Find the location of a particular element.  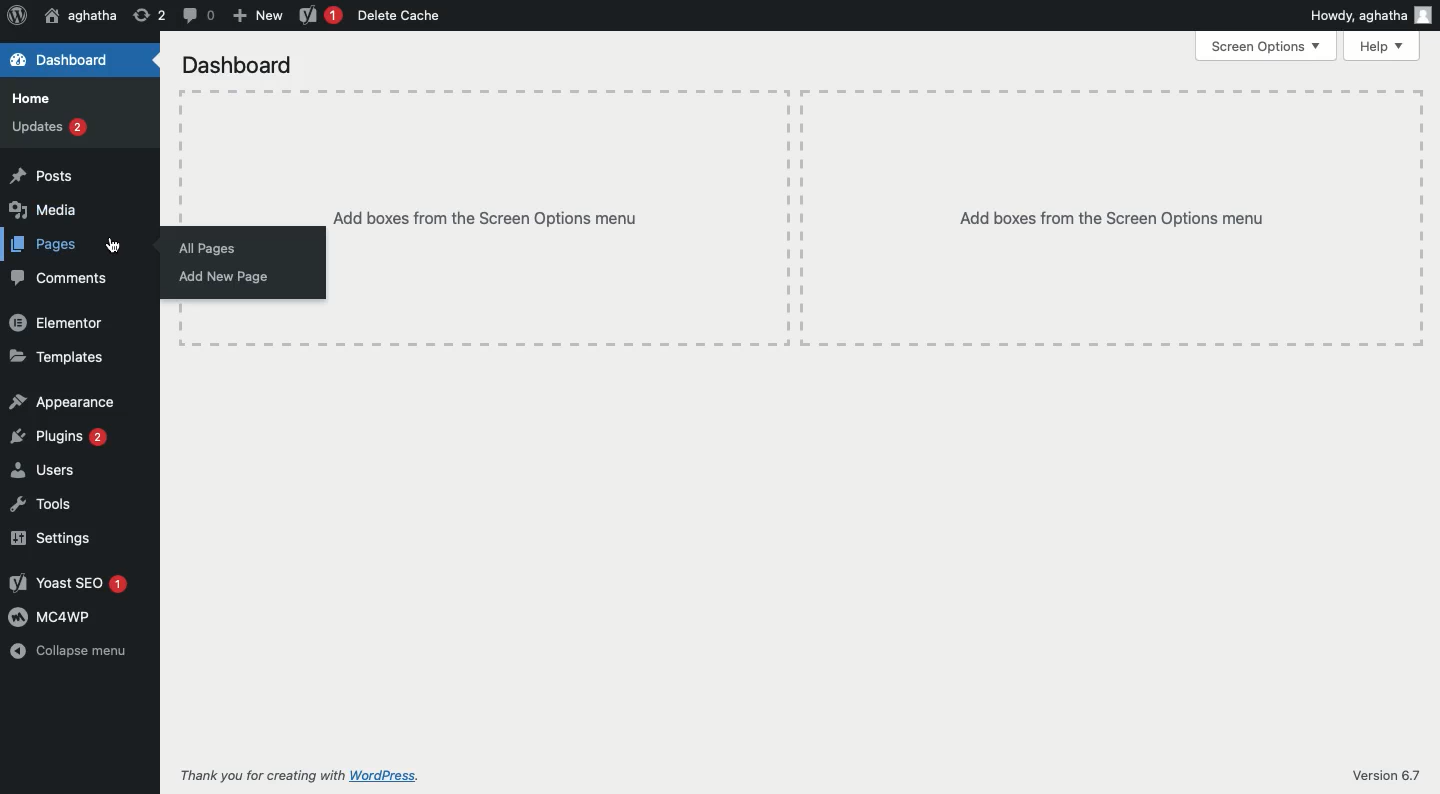

Appearance is located at coordinates (65, 402).